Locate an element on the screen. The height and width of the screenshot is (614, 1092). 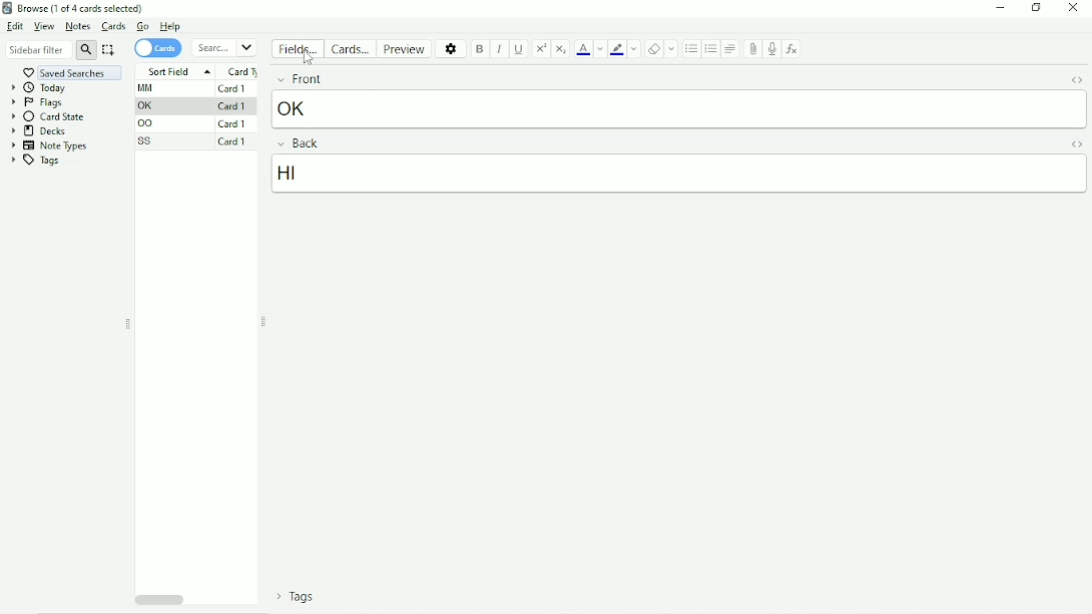
Card 1 is located at coordinates (234, 142).